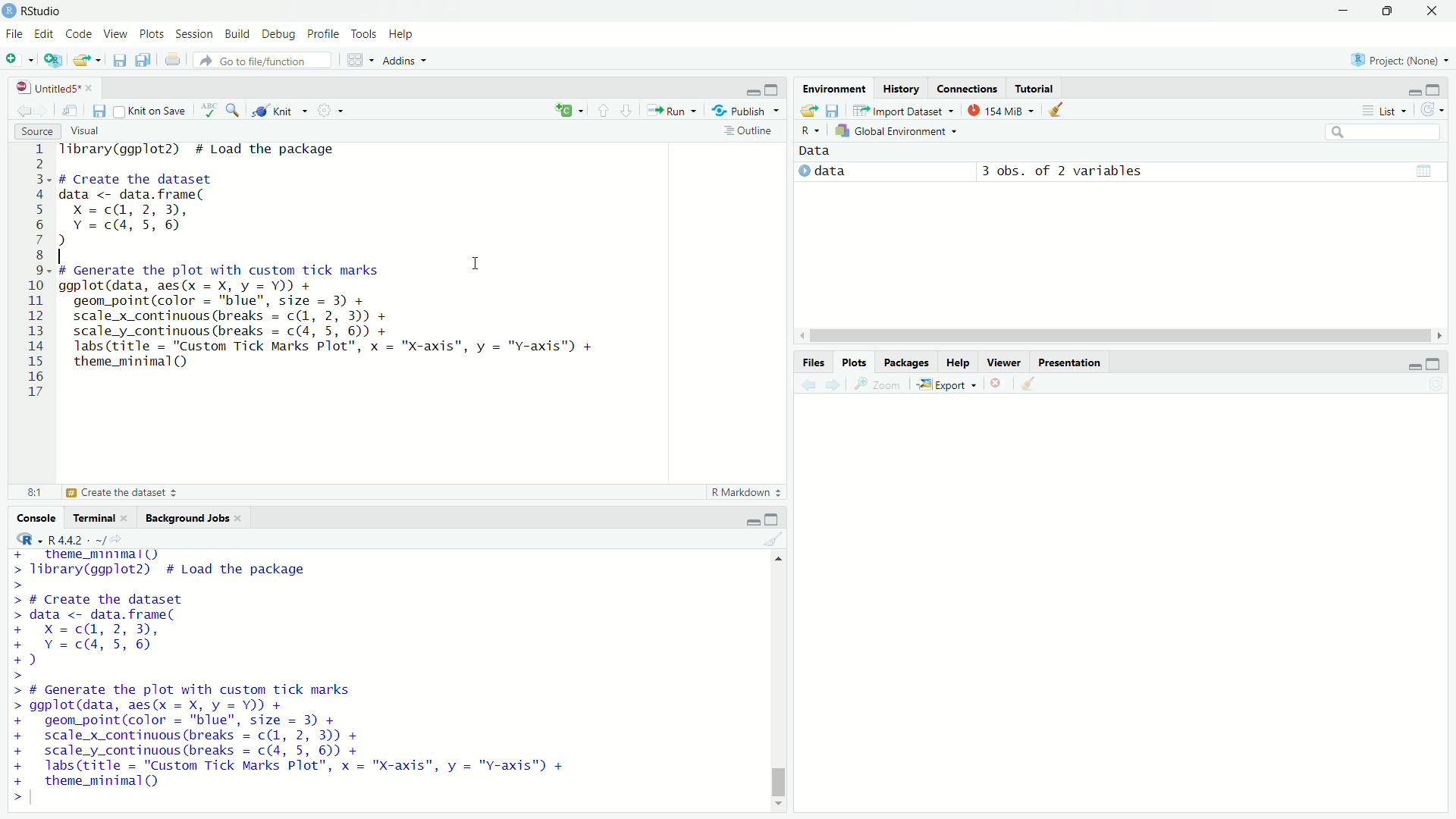  I want to click on files, so click(812, 361).